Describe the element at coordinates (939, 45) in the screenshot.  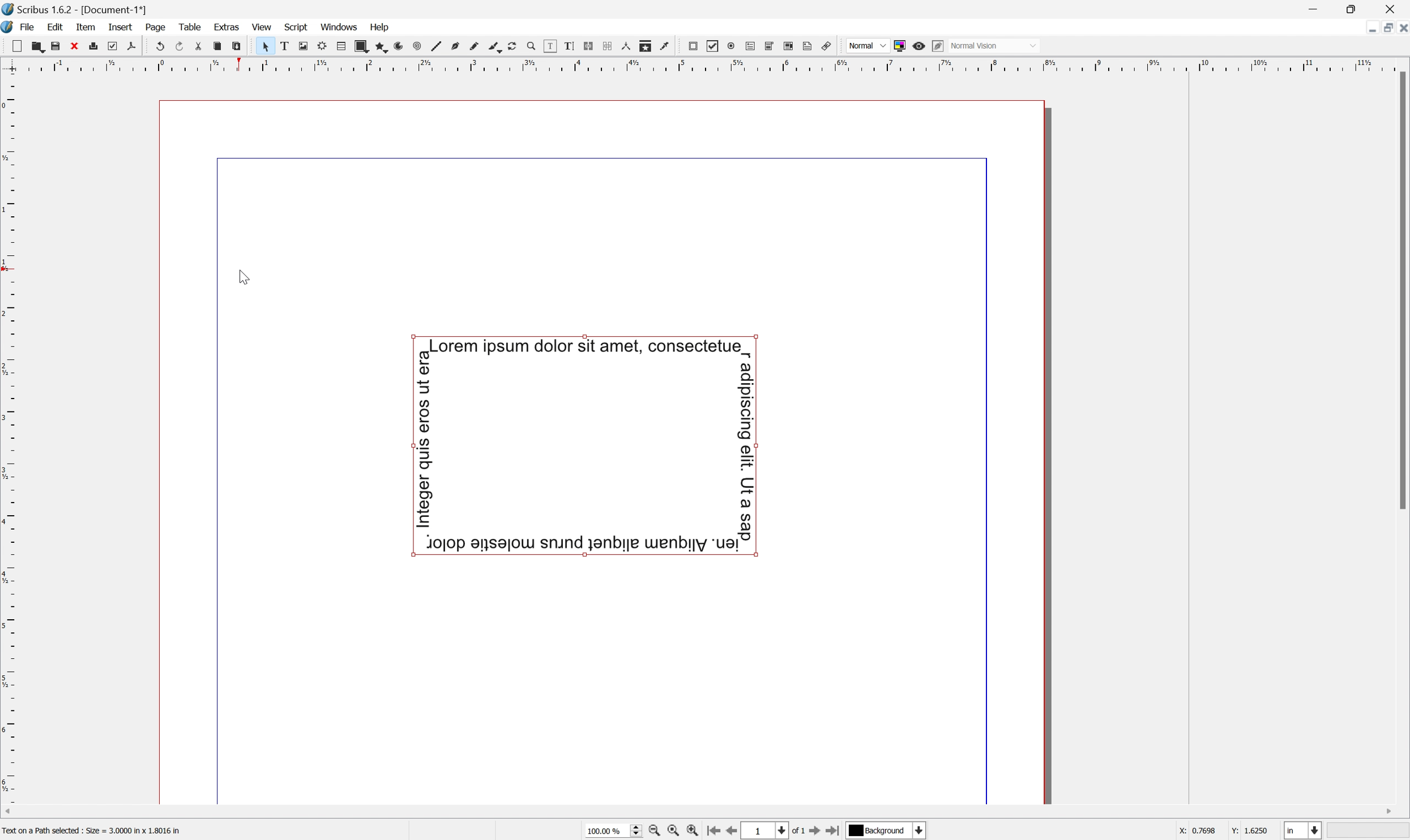
I see `Edit in preview mode` at that location.